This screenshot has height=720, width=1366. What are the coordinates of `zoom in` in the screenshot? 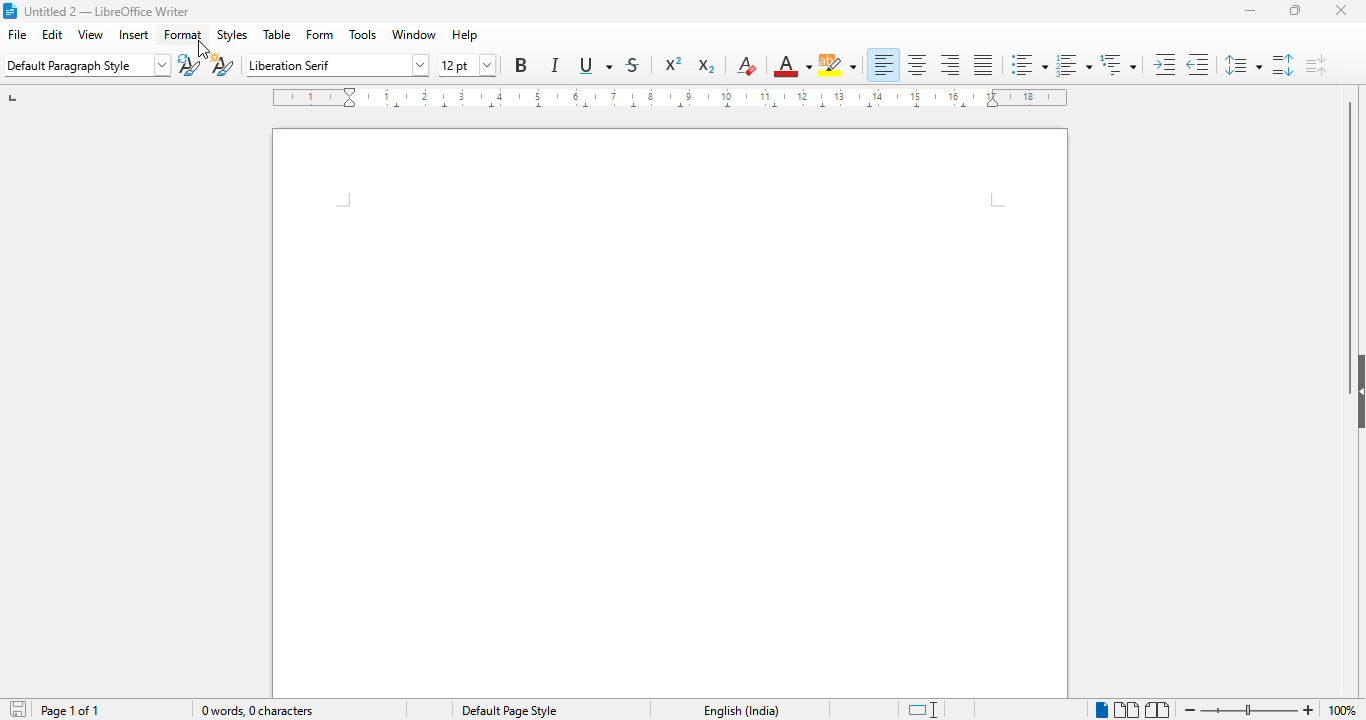 It's located at (1308, 710).